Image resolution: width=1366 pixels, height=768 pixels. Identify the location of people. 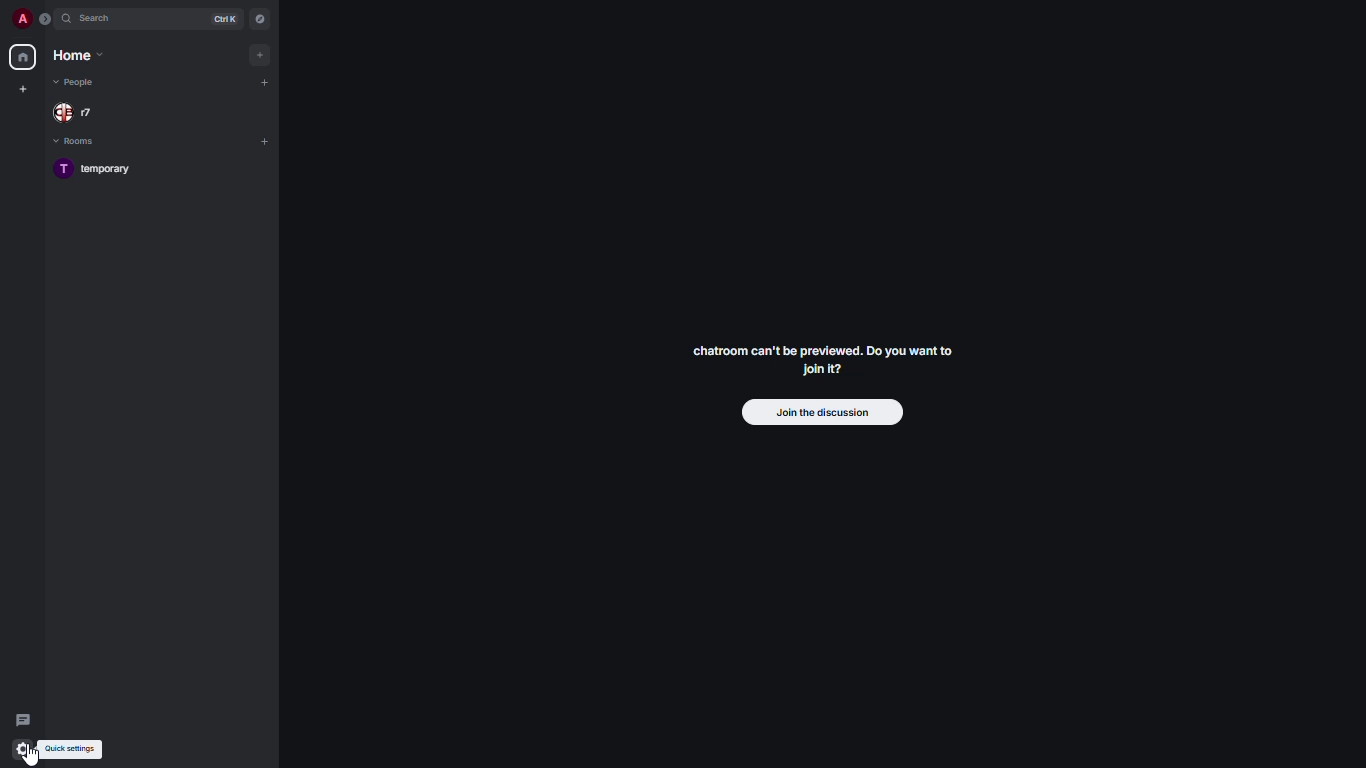
(77, 84).